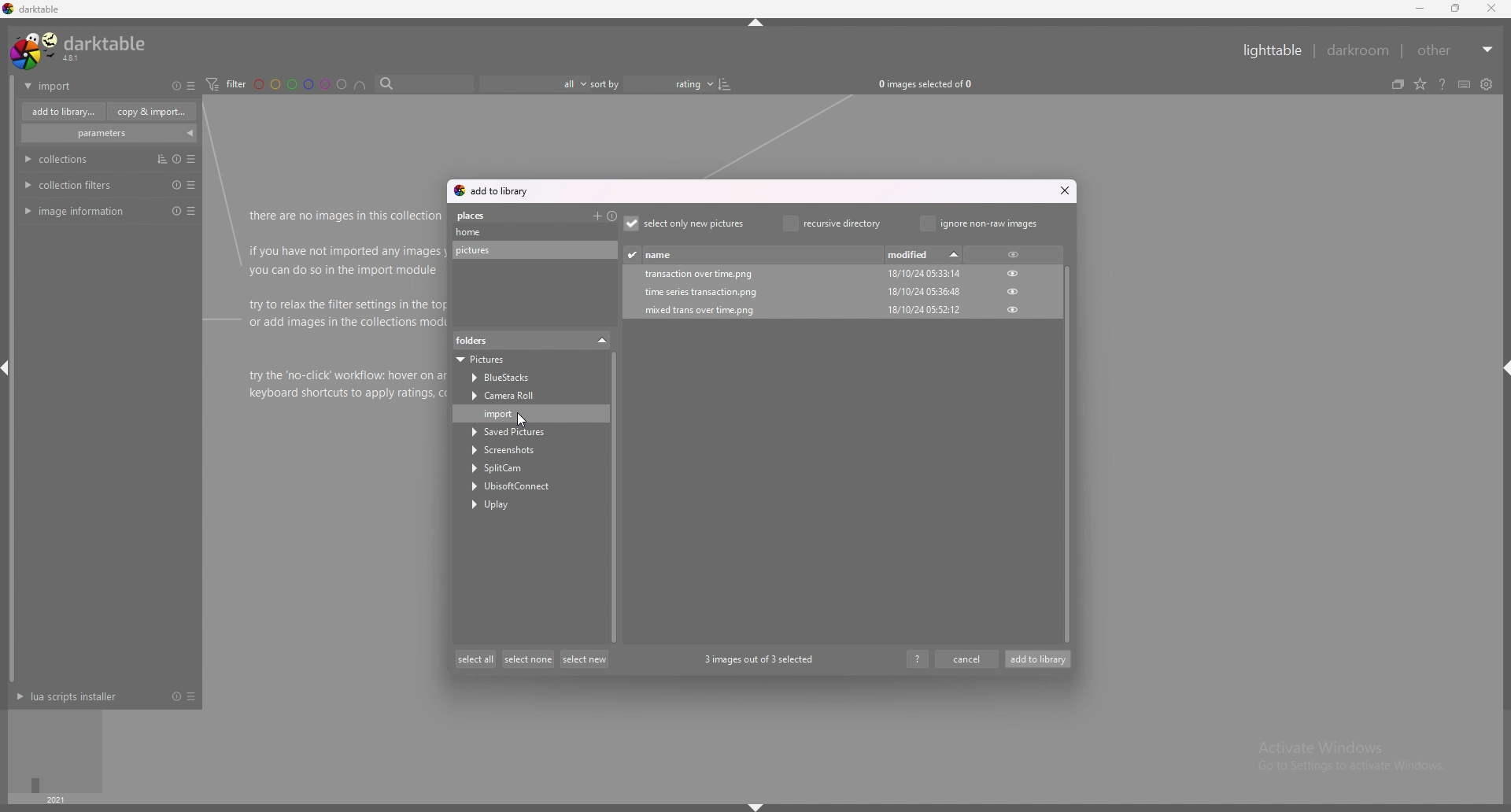 Image resolution: width=1511 pixels, height=812 pixels. What do you see at coordinates (749, 274) in the screenshot?
I see `transaction over time.png` at bounding box center [749, 274].